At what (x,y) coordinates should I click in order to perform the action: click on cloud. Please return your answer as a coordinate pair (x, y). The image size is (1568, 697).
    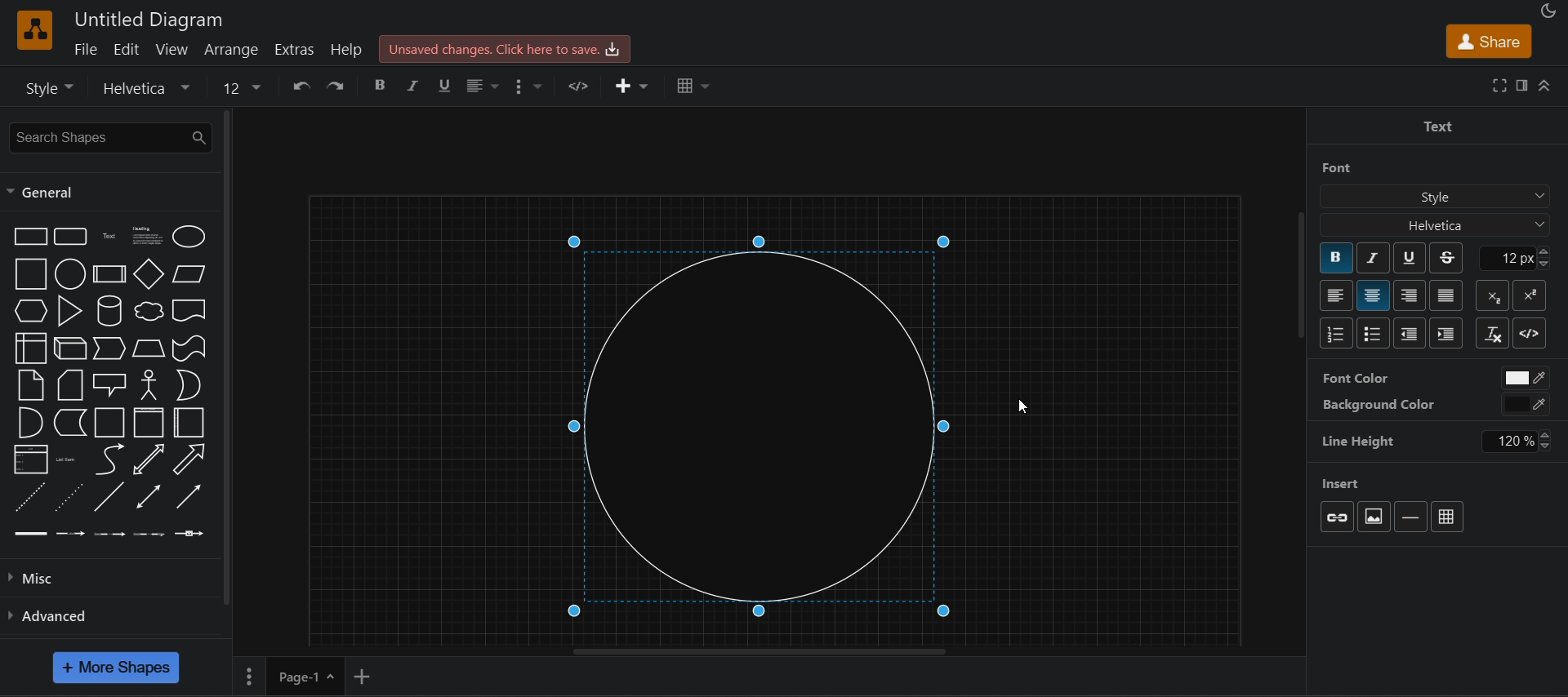
    Looking at the image, I should click on (150, 311).